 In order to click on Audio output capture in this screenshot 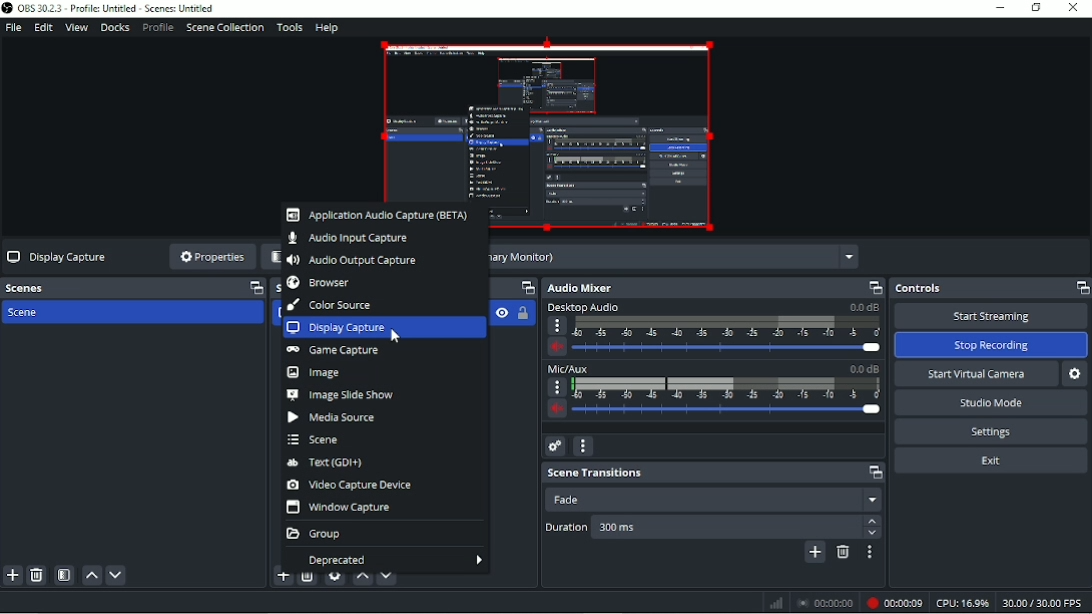, I will do `click(354, 260)`.